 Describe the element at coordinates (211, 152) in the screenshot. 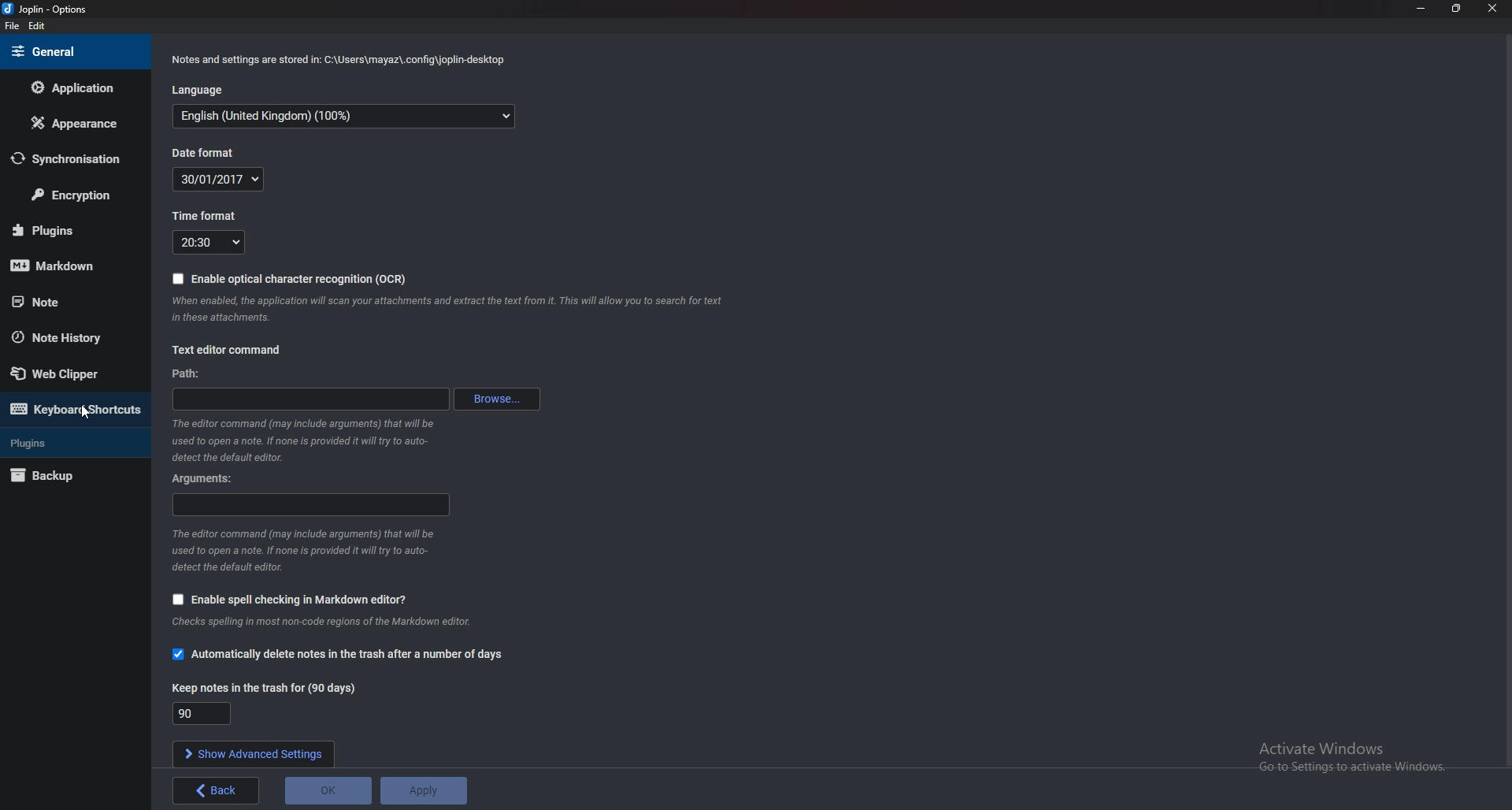

I see `Date format` at that location.